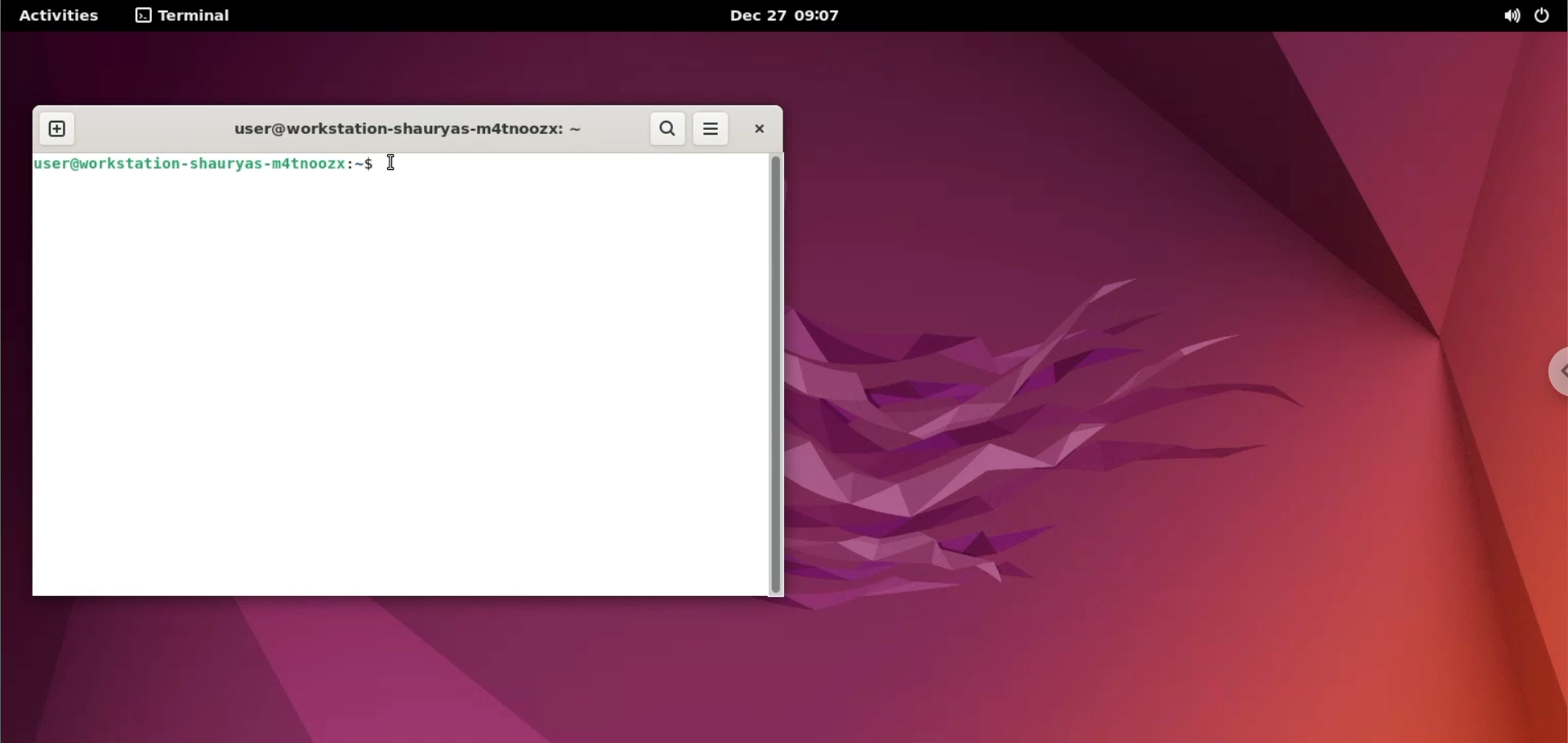  What do you see at coordinates (1546, 15) in the screenshot?
I see `power options` at bounding box center [1546, 15].